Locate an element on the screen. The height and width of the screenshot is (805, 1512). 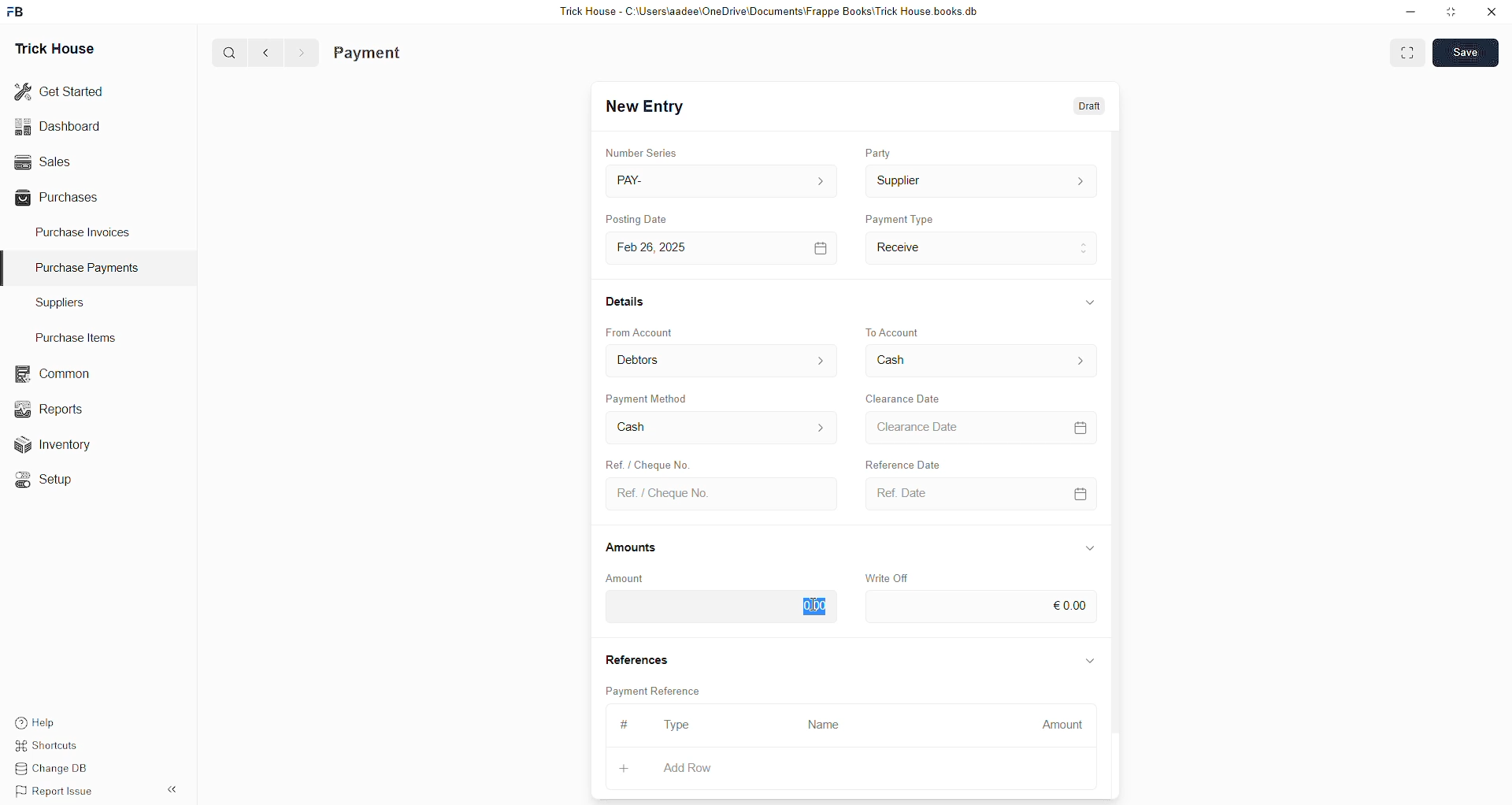
Shortcuts is located at coordinates (47, 746).